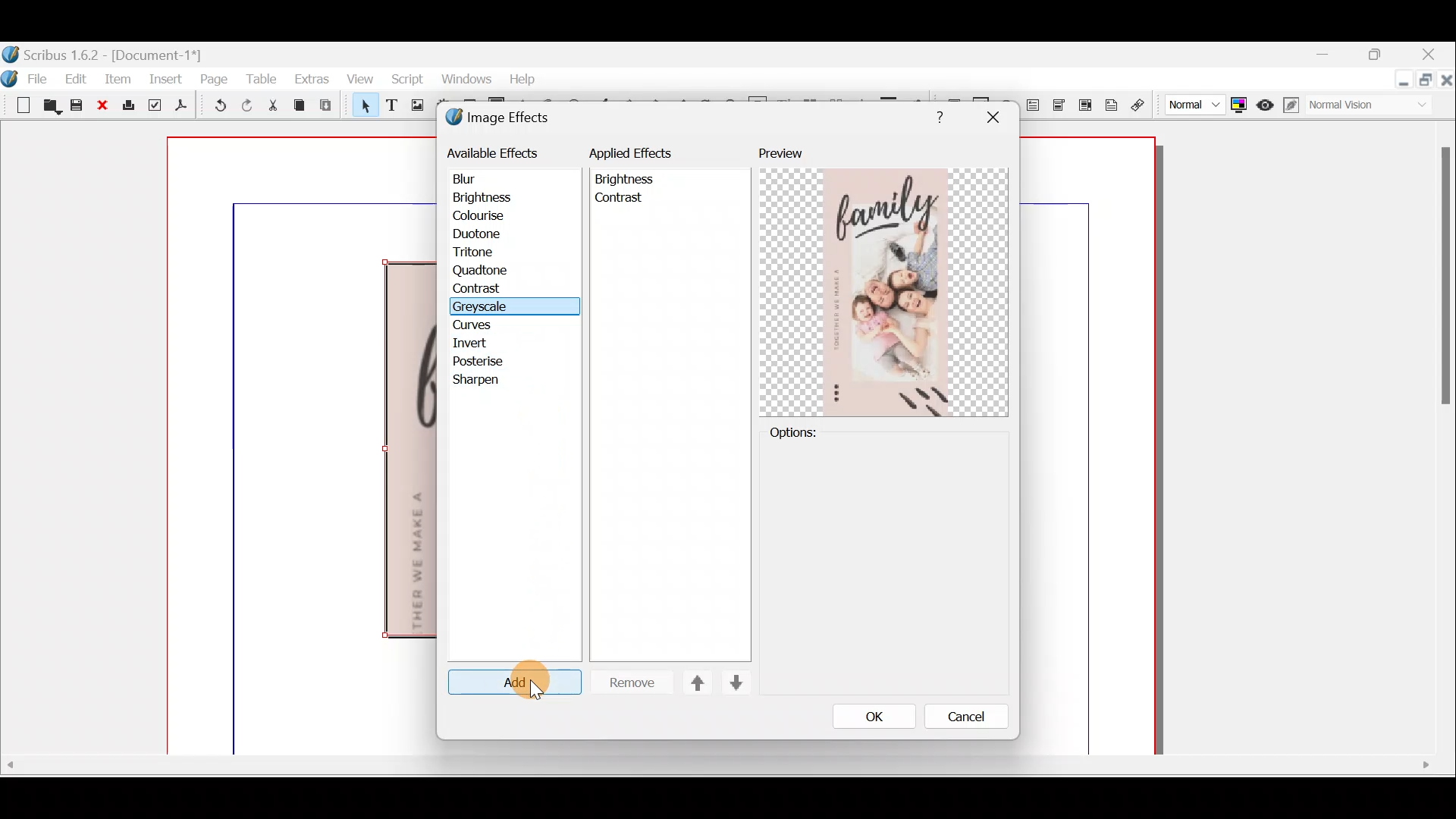 This screenshot has width=1456, height=819. What do you see at coordinates (475, 177) in the screenshot?
I see `blur` at bounding box center [475, 177].